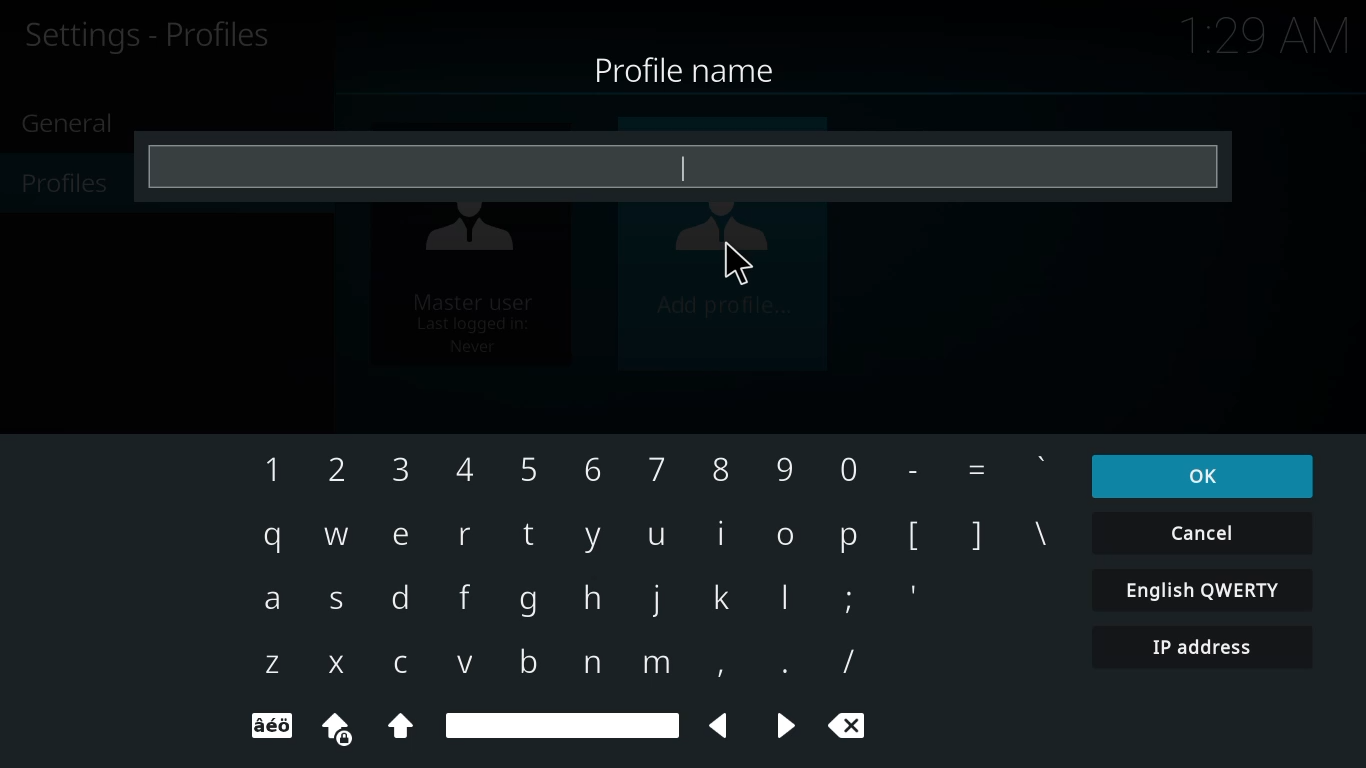  Describe the element at coordinates (463, 599) in the screenshot. I see `f` at that location.